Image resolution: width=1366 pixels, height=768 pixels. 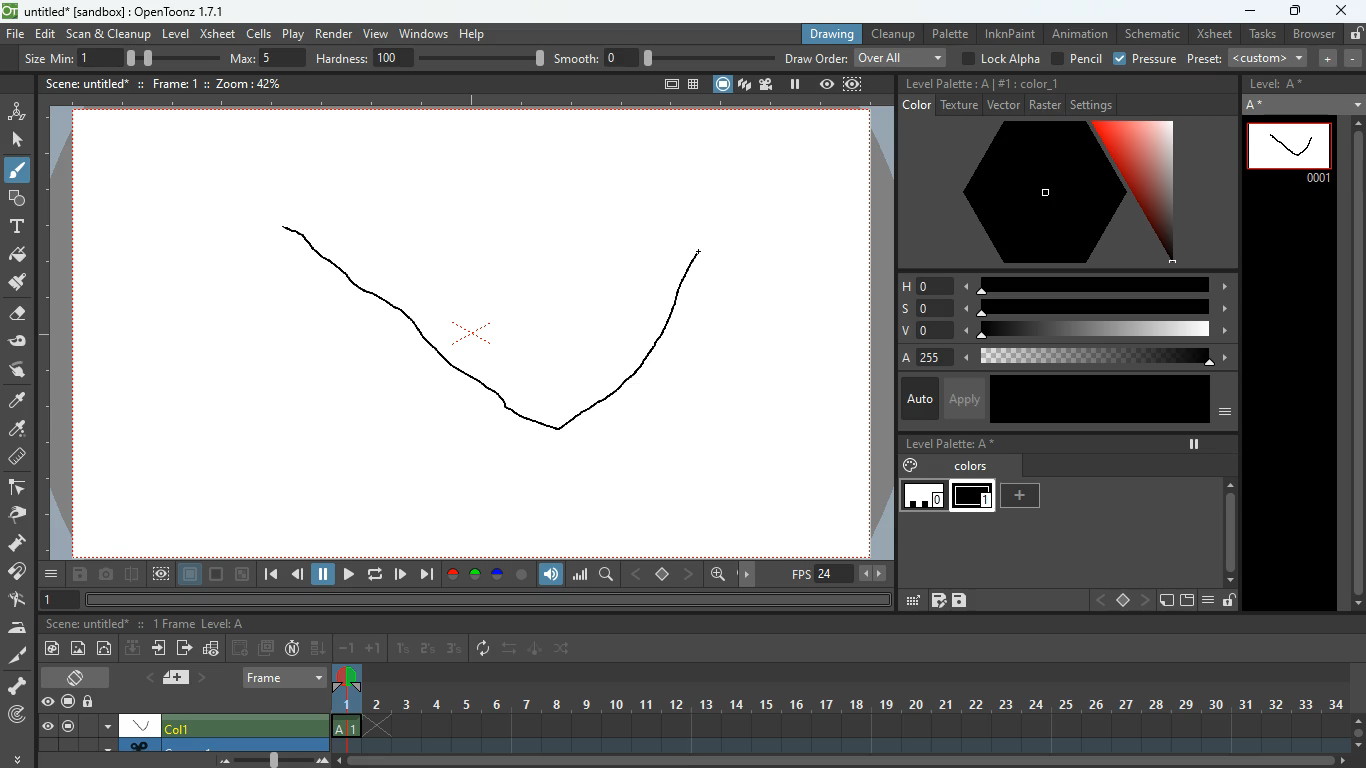 What do you see at coordinates (17, 600) in the screenshot?
I see `edit` at bounding box center [17, 600].